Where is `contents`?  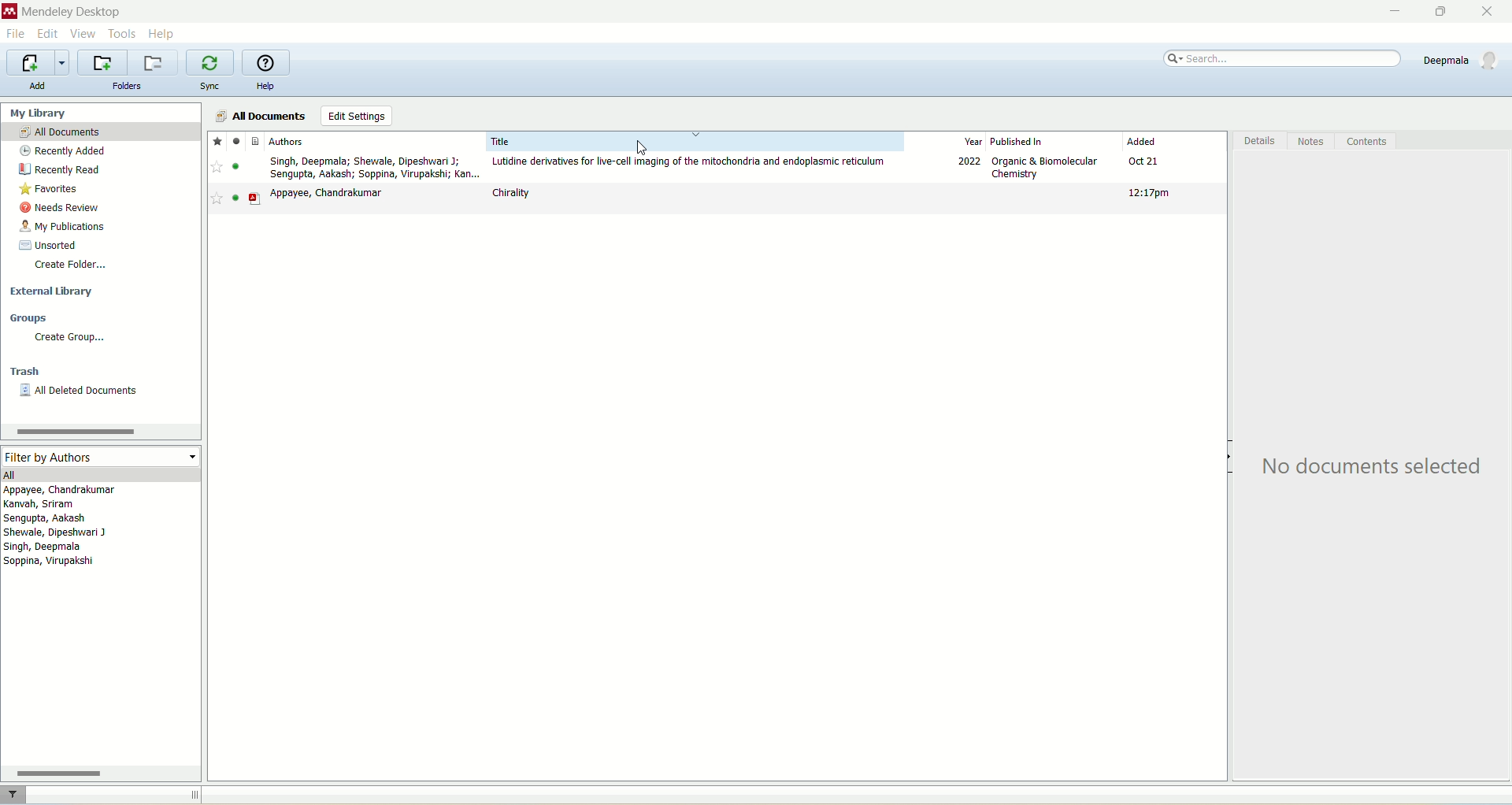
contents is located at coordinates (1364, 142).